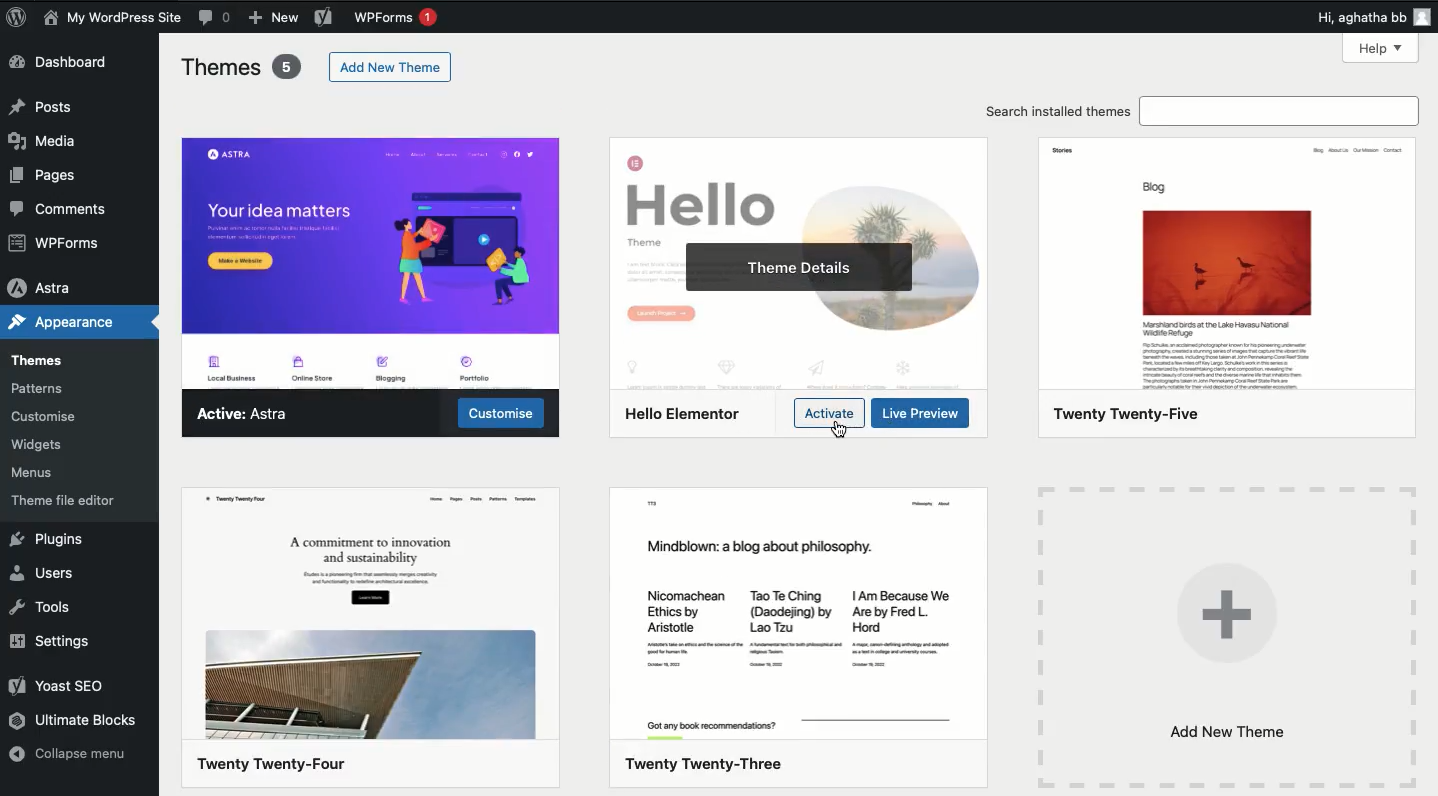  I want to click on Customize , so click(504, 416).